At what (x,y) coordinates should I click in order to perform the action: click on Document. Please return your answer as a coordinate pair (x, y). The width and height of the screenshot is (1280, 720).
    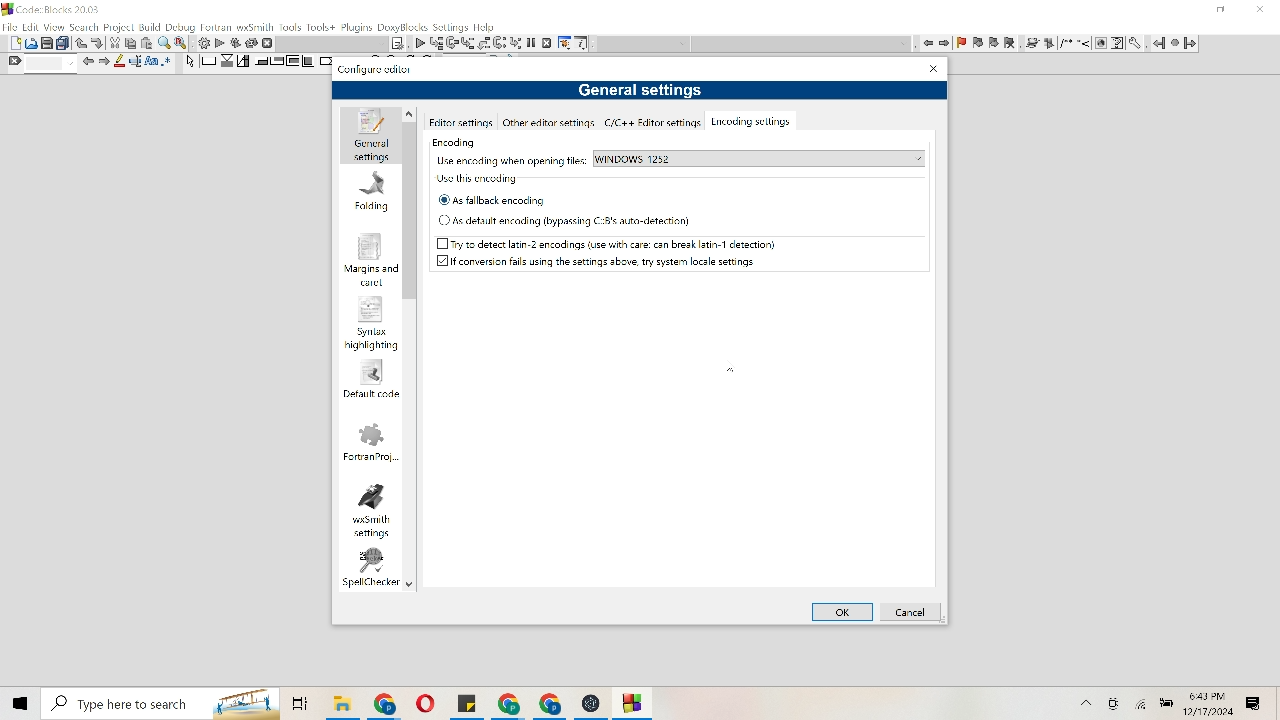
    Looking at the image, I should click on (13, 42).